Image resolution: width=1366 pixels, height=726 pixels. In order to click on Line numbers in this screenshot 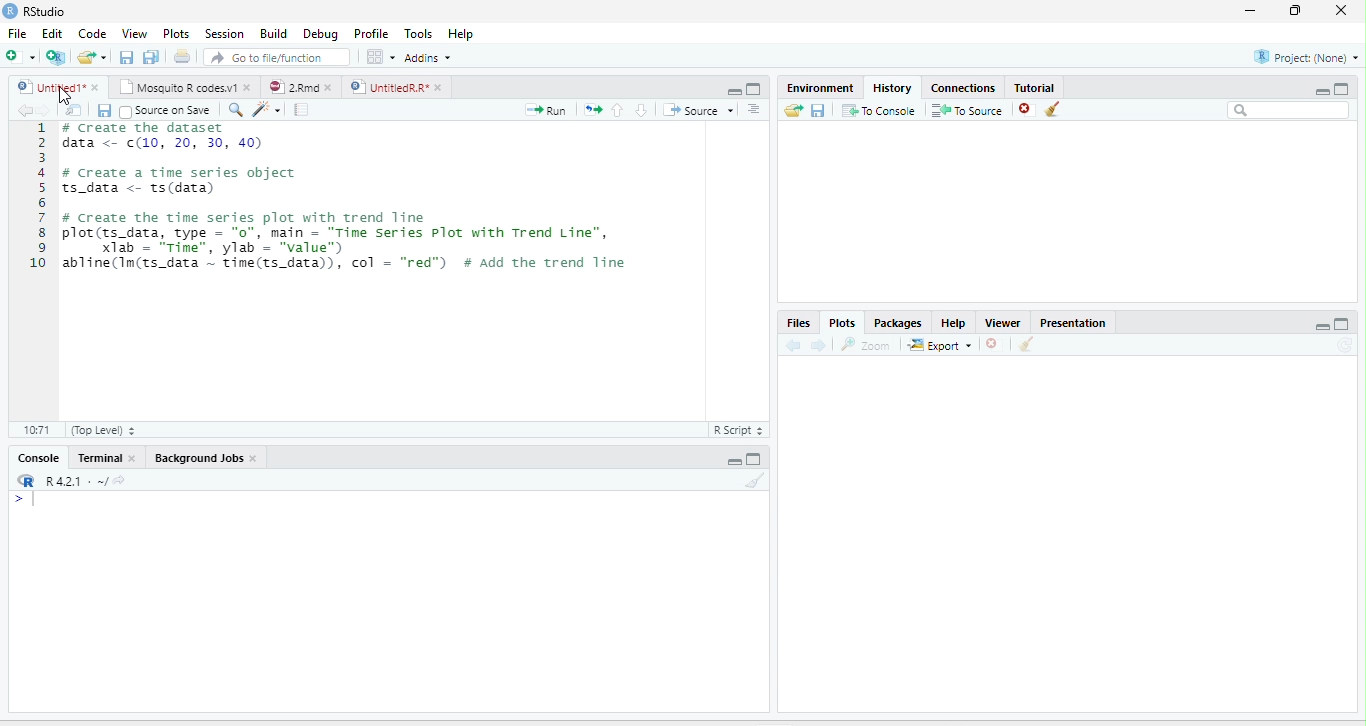, I will do `click(38, 198)`.